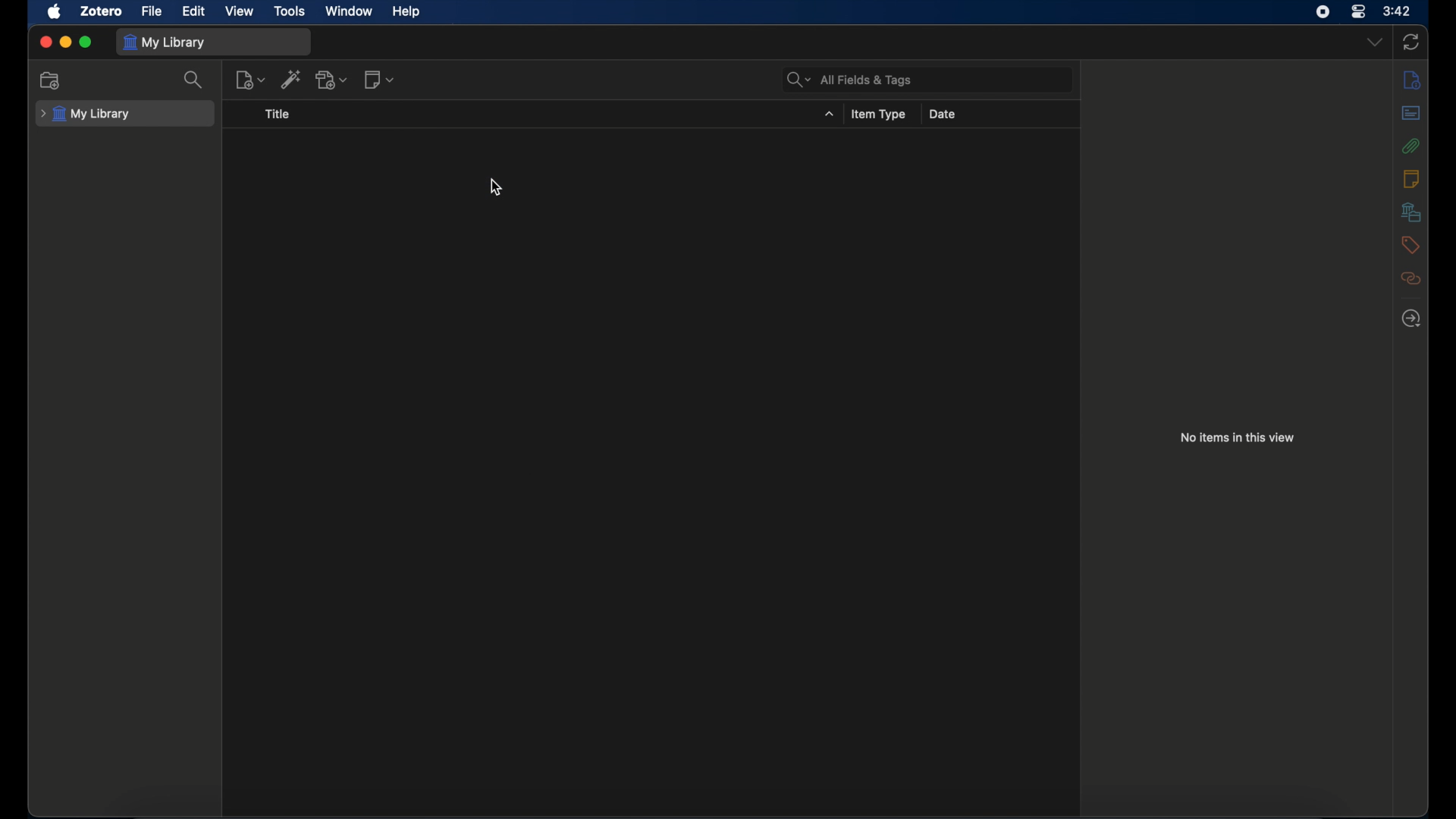 The height and width of the screenshot is (819, 1456). I want to click on add item by identifier, so click(291, 80).